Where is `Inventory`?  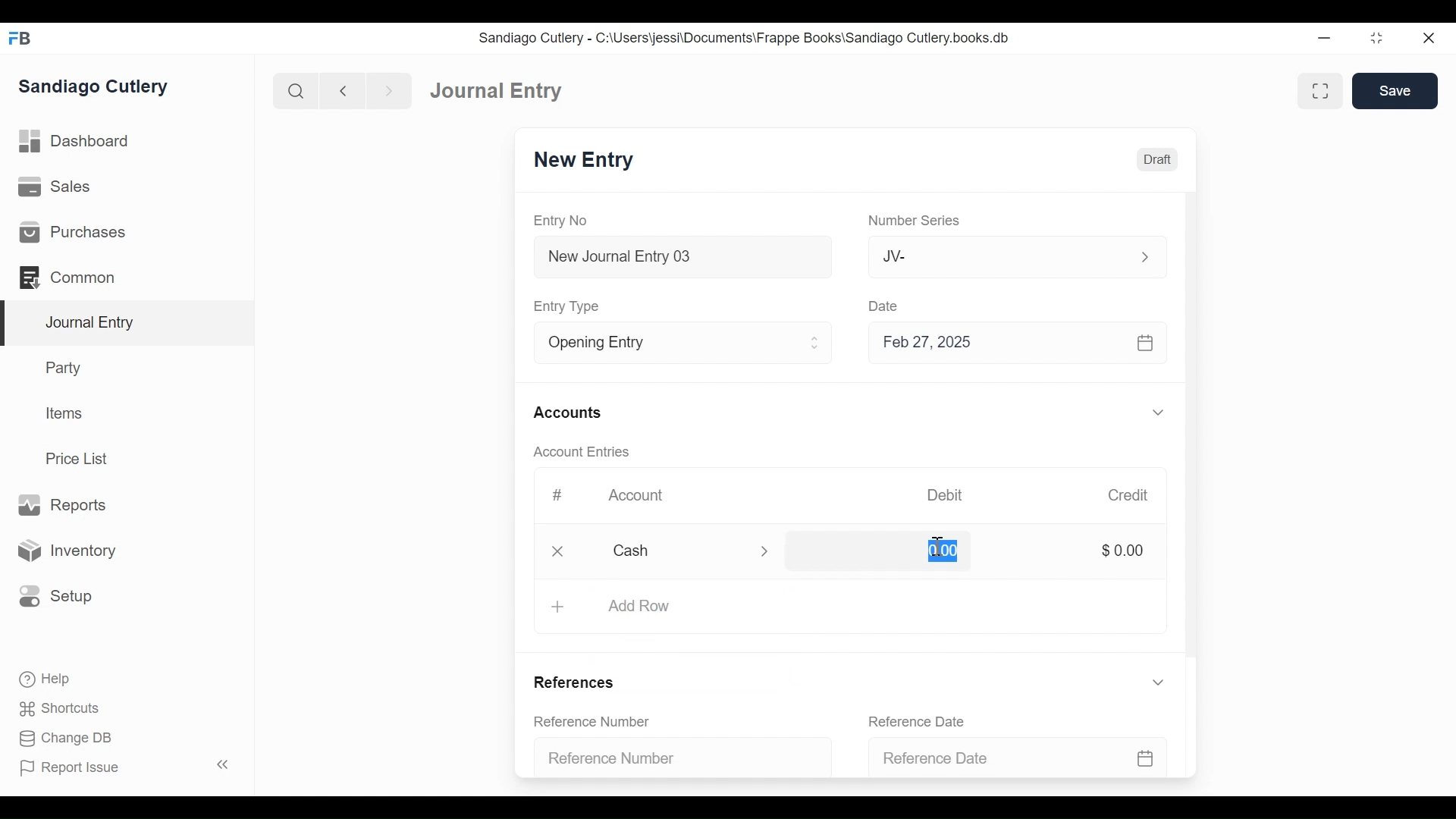
Inventory is located at coordinates (65, 550).